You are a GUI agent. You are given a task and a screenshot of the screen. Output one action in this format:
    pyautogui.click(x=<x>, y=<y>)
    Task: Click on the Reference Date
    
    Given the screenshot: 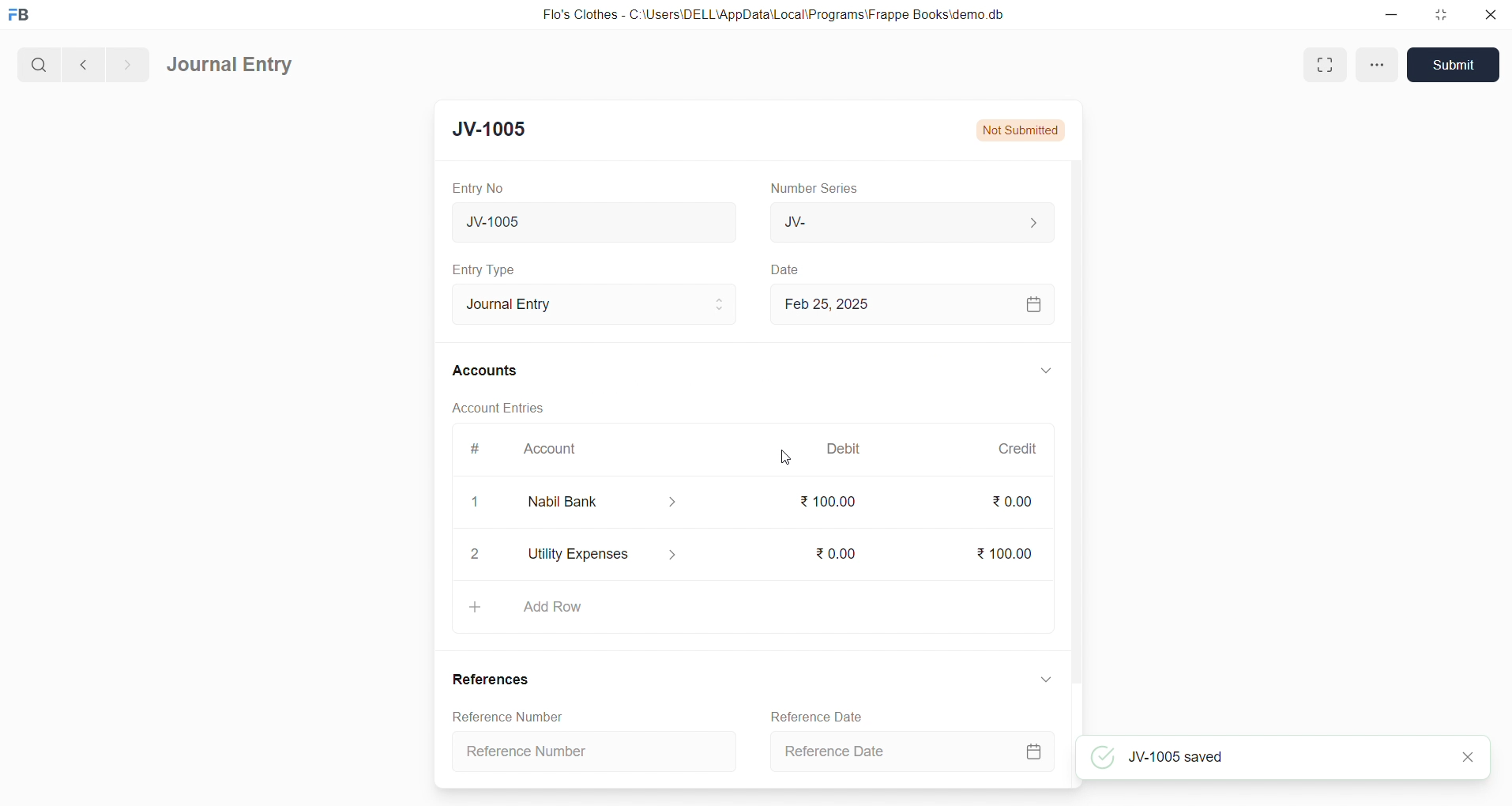 What is the action you would take?
    pyautogui.click(x=909, y=752)
    